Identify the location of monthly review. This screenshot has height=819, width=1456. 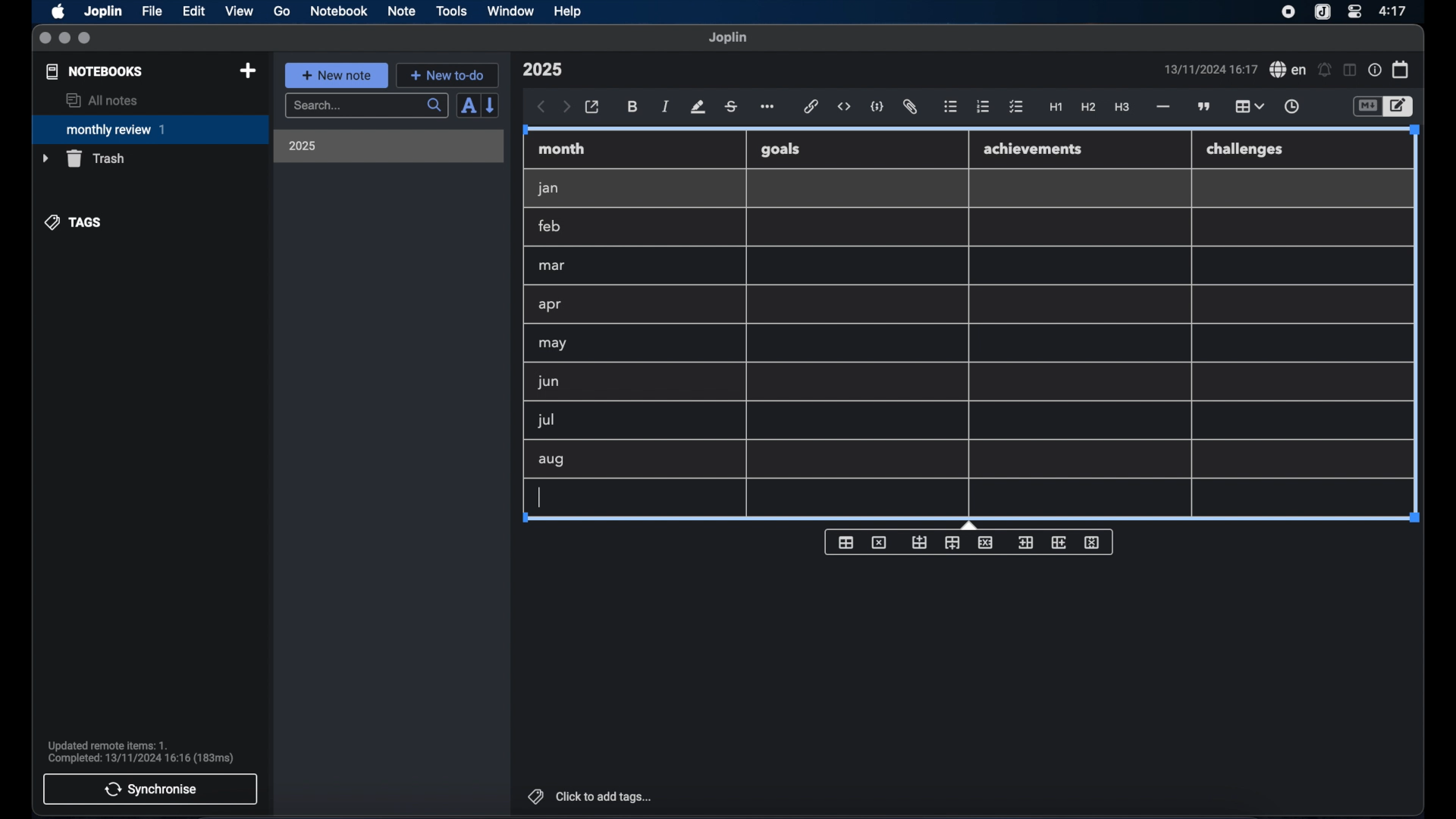
(150, 128).